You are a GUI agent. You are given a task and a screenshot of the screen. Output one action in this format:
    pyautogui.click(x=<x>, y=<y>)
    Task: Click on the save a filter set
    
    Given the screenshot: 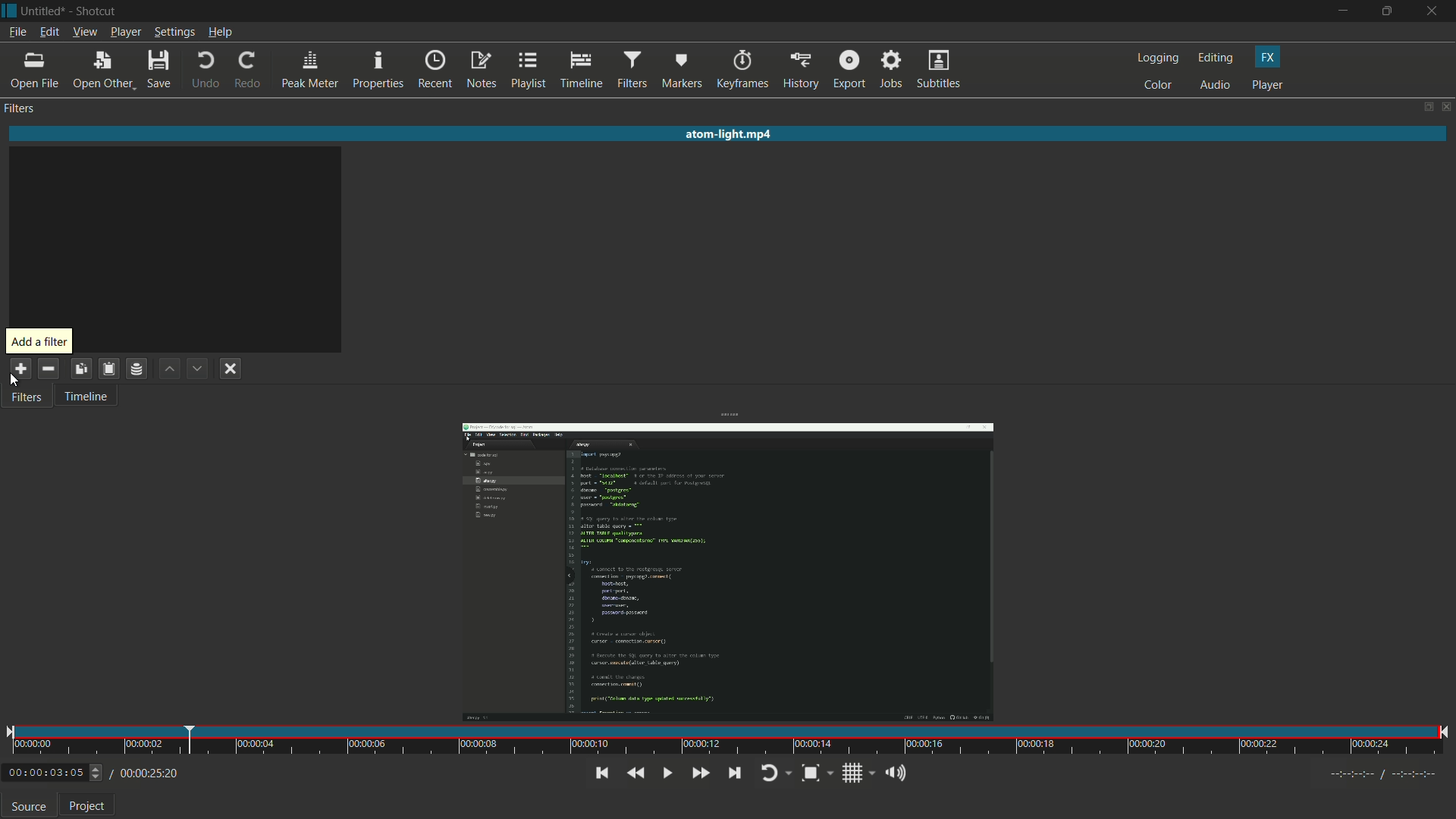 What is the action you would take?
    pyautogui.click(x=135, y=369)
    